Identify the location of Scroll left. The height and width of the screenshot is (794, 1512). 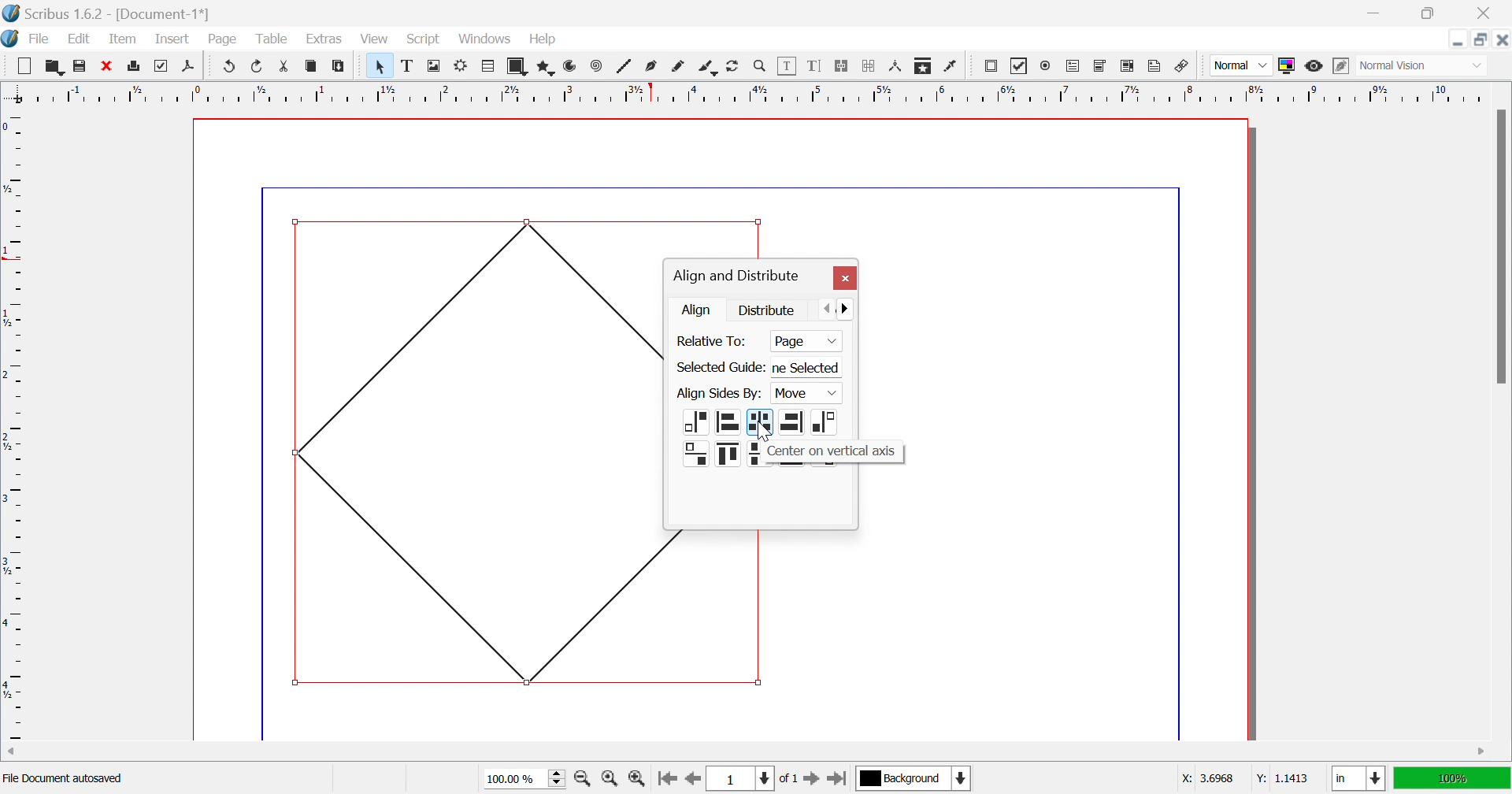
(13, 752).